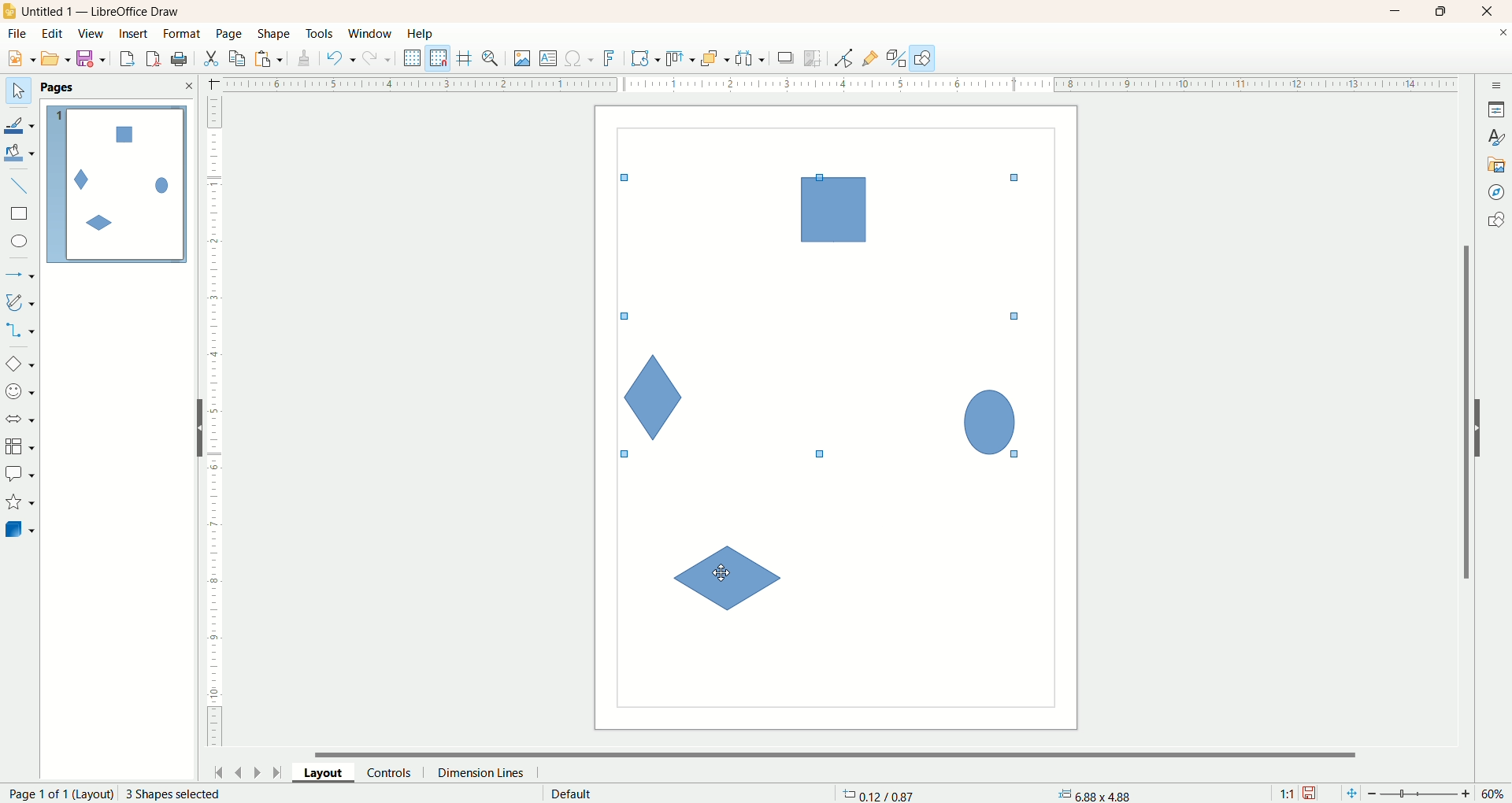  What do you see at coordinates (880, 794) in the screenshot?
I see `coordinates` at bounding box center [880, 794].